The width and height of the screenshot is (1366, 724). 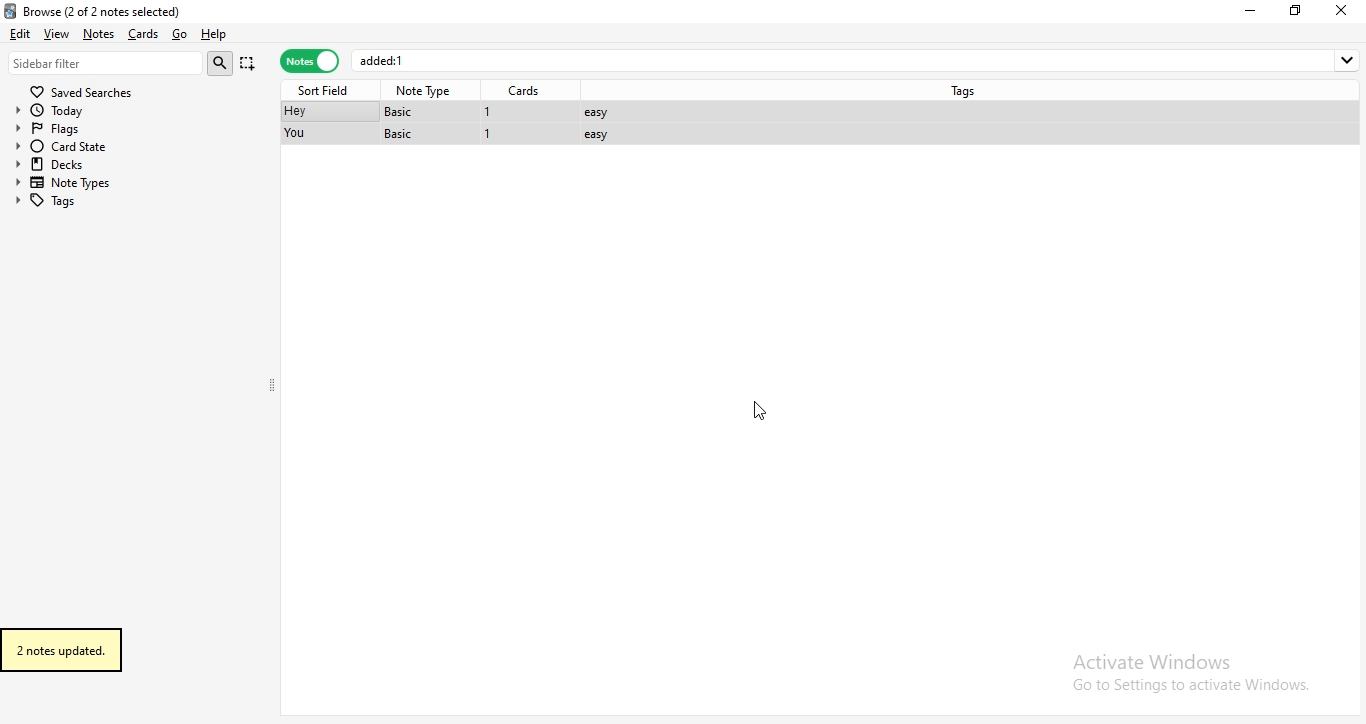 What do you see at coordinates (488, 112) in the screenshot?
I see `1` at bounding box center [488, 112].